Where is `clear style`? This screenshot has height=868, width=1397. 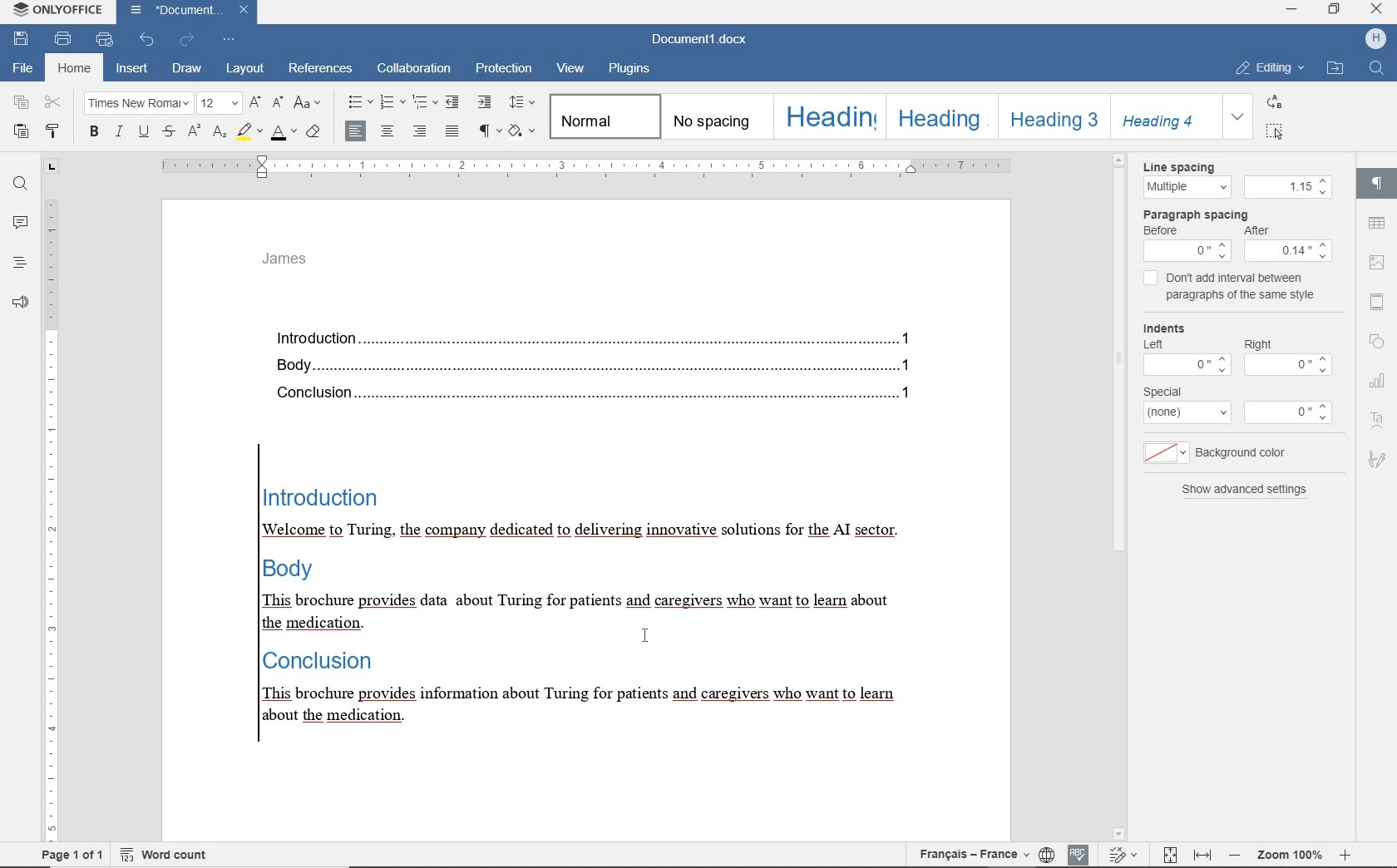 clear style is located at coordinates (314, 131).